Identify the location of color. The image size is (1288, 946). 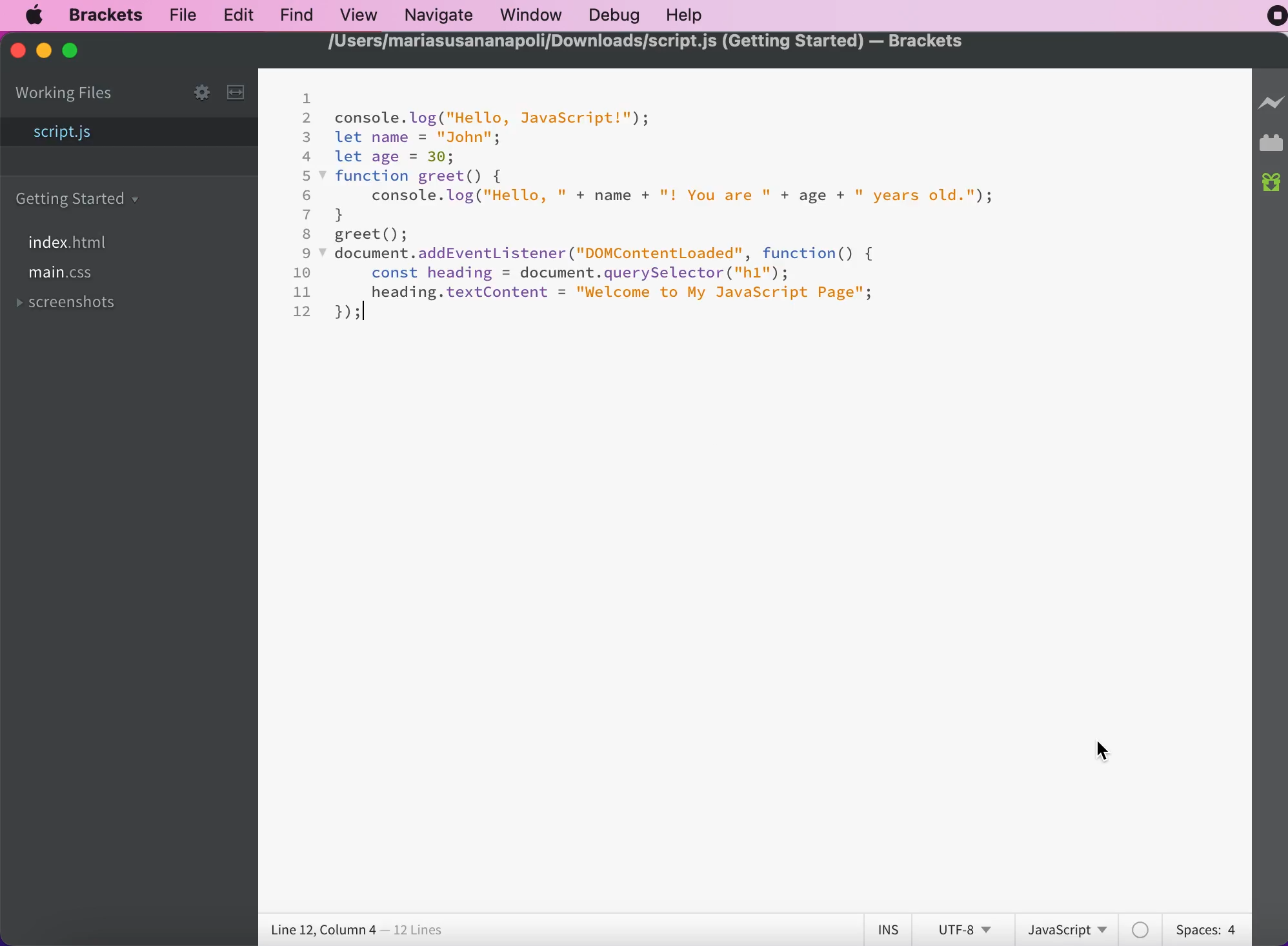
(1142, 929).